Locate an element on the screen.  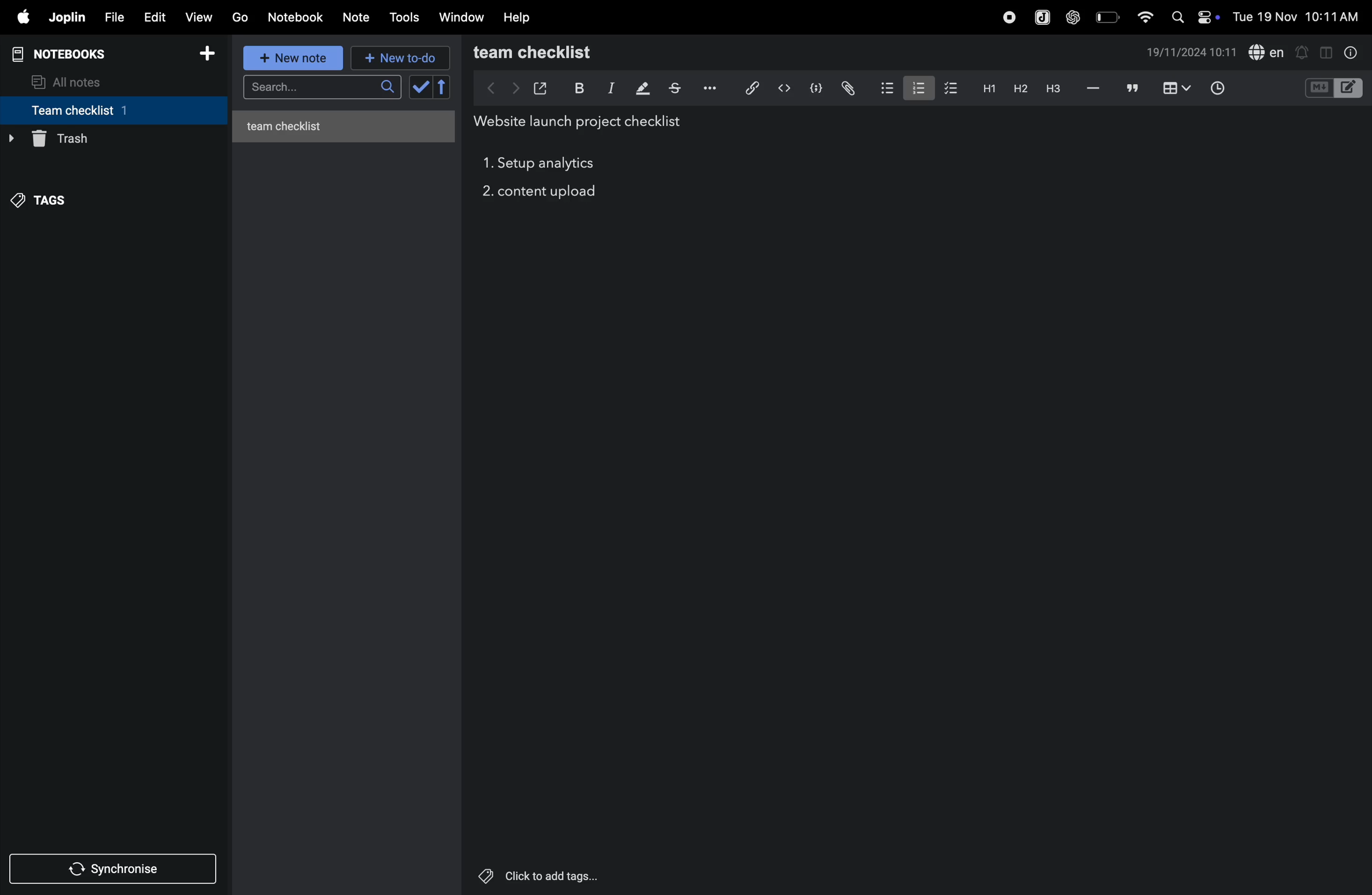
setup analytics is located at coordinates (551, 165).